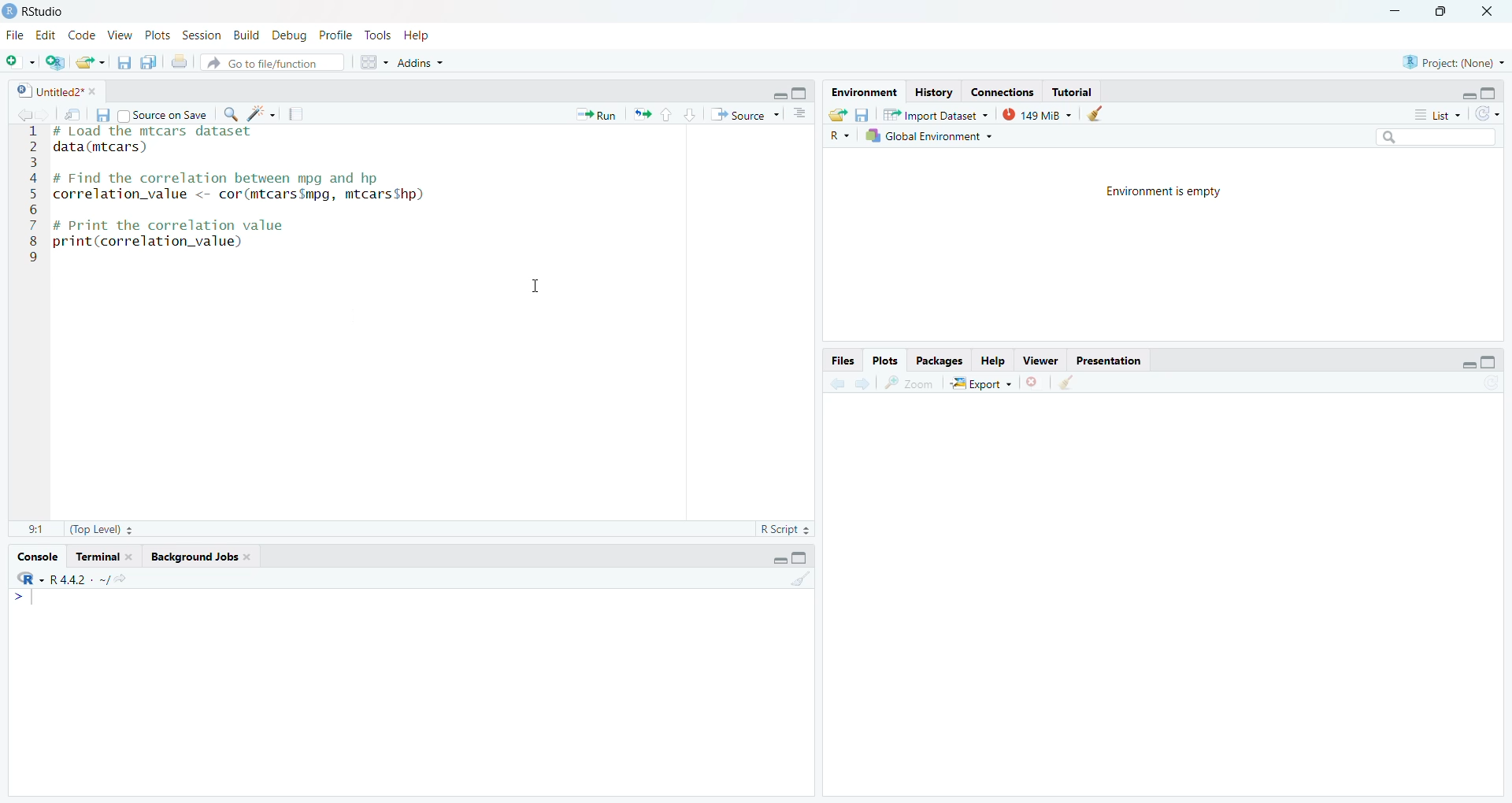  I want to click on Create a project, so click(56, 63).